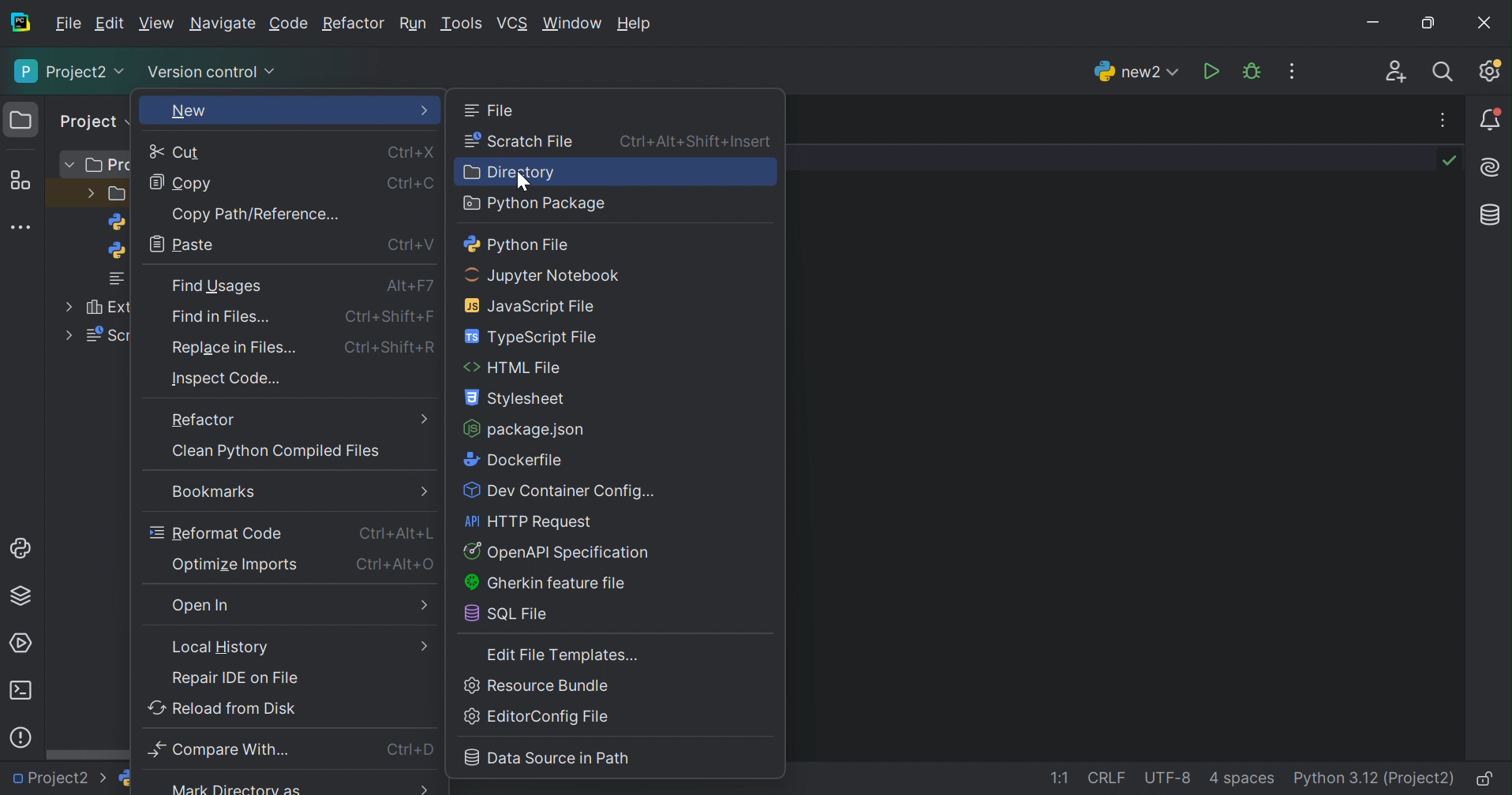 The height and width of the screenshot is (795, 1512). Describe the element at coordinates (424, 419) in the screenshot. I see `More` at that location.